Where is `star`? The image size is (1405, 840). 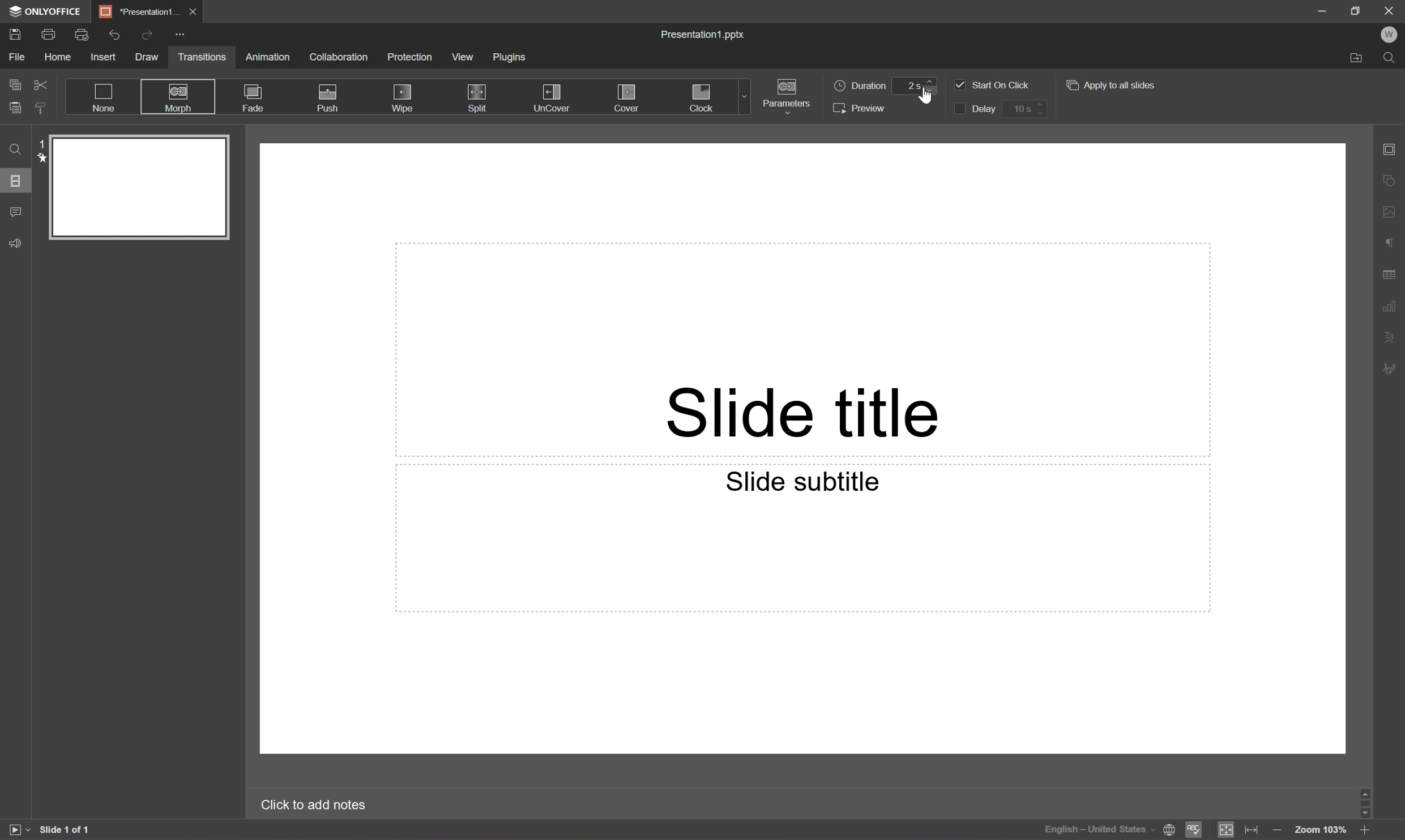
star is located at coordinates (42, 159).